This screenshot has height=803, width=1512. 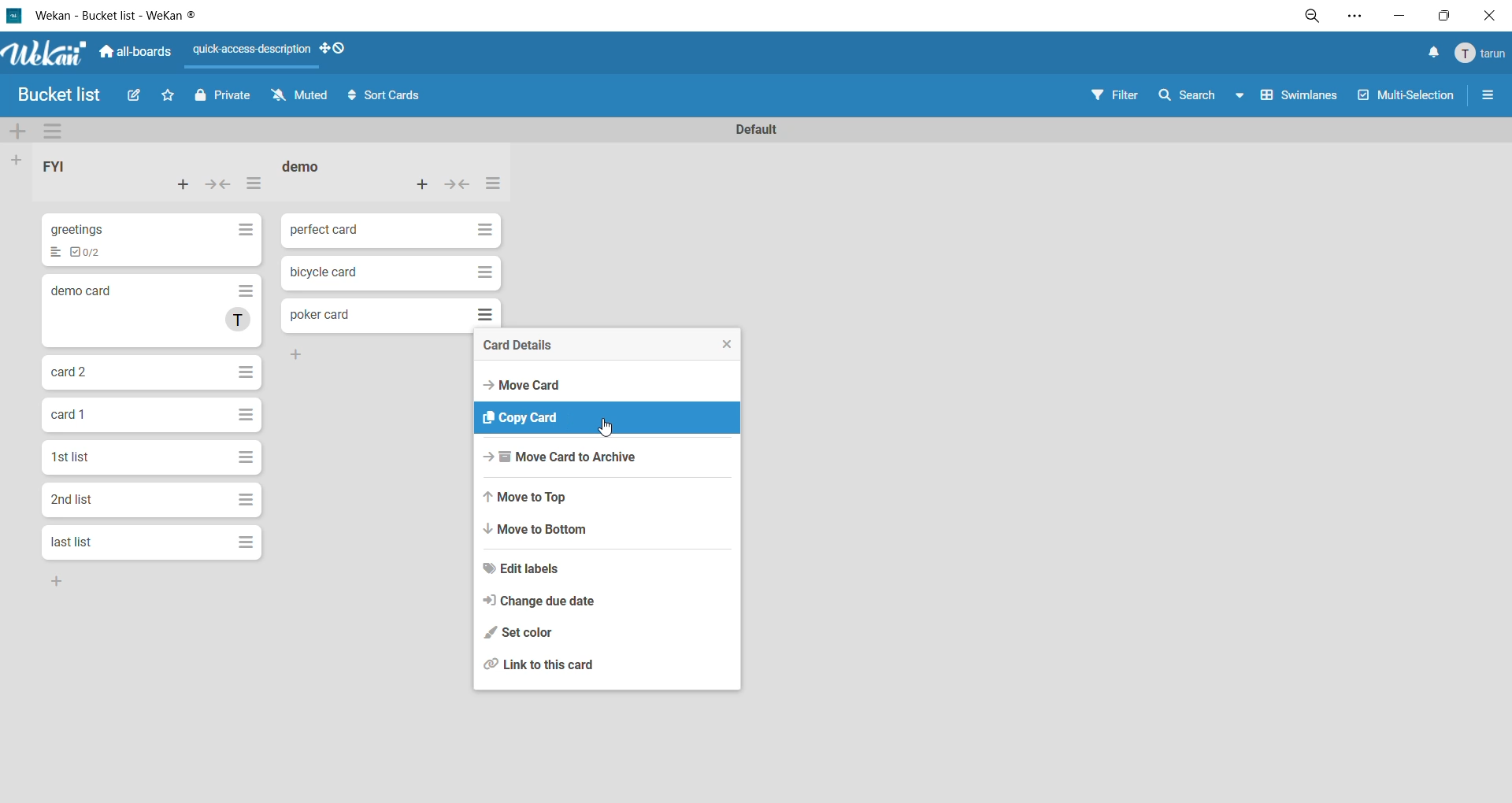 What do you see at coordinates (53, 253) in the screenshot?
I see `List` at bounding box center [53, 253].